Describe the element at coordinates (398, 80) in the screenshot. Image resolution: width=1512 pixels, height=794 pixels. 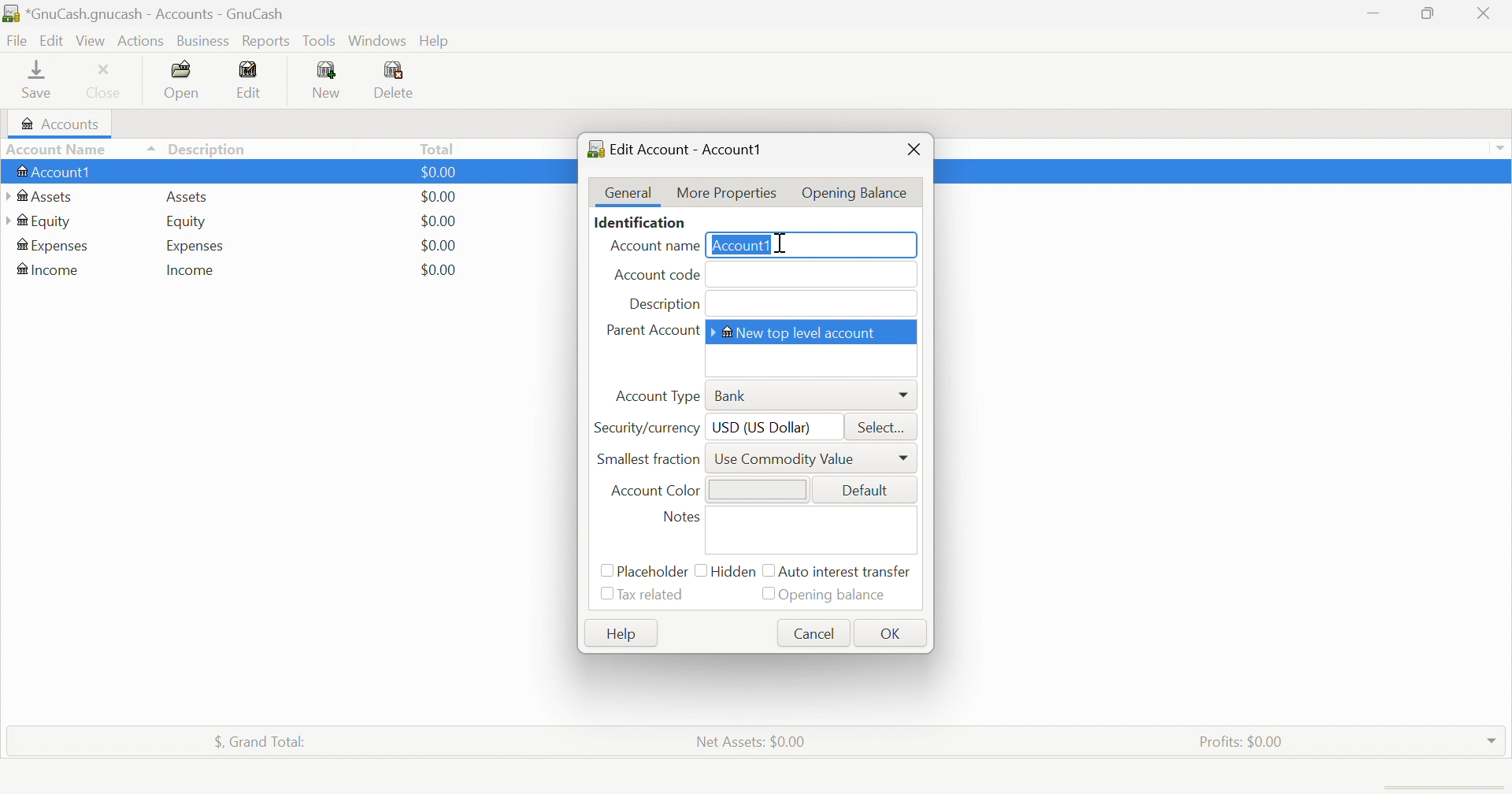
I see `Delete` at that location.